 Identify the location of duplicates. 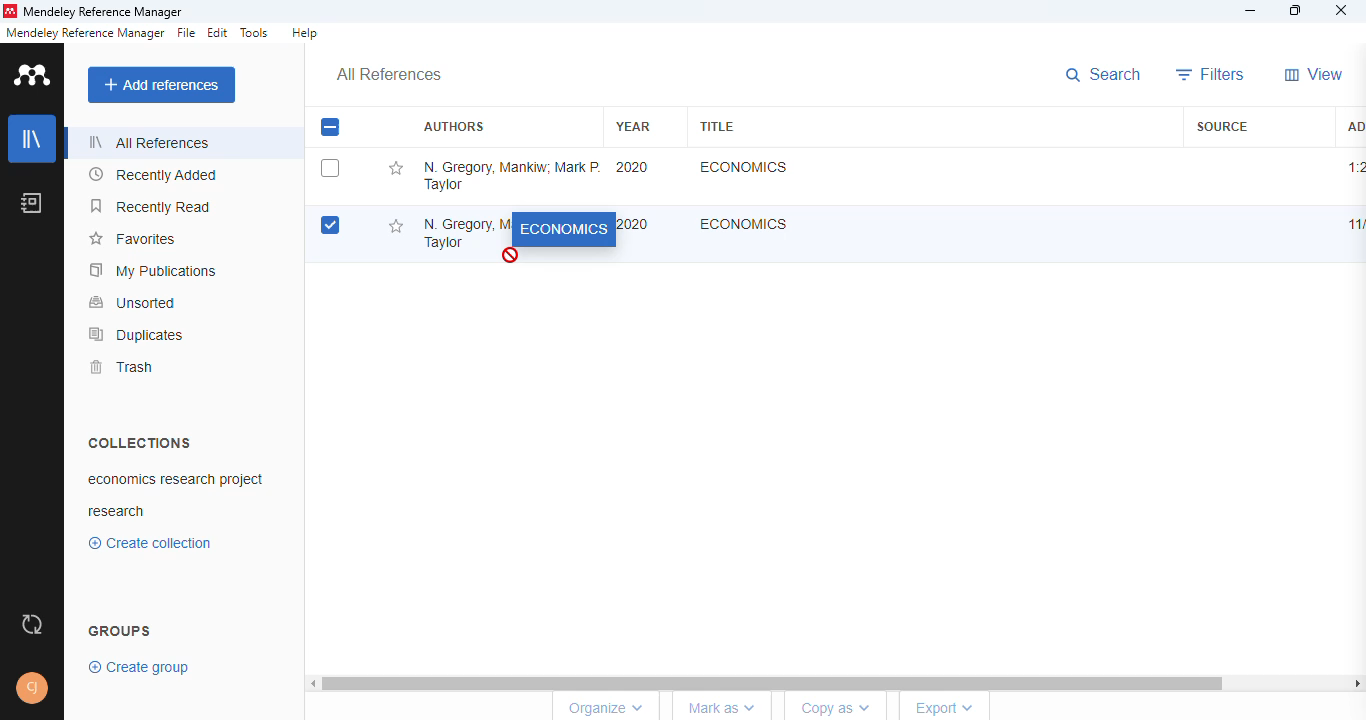
(137, 334).